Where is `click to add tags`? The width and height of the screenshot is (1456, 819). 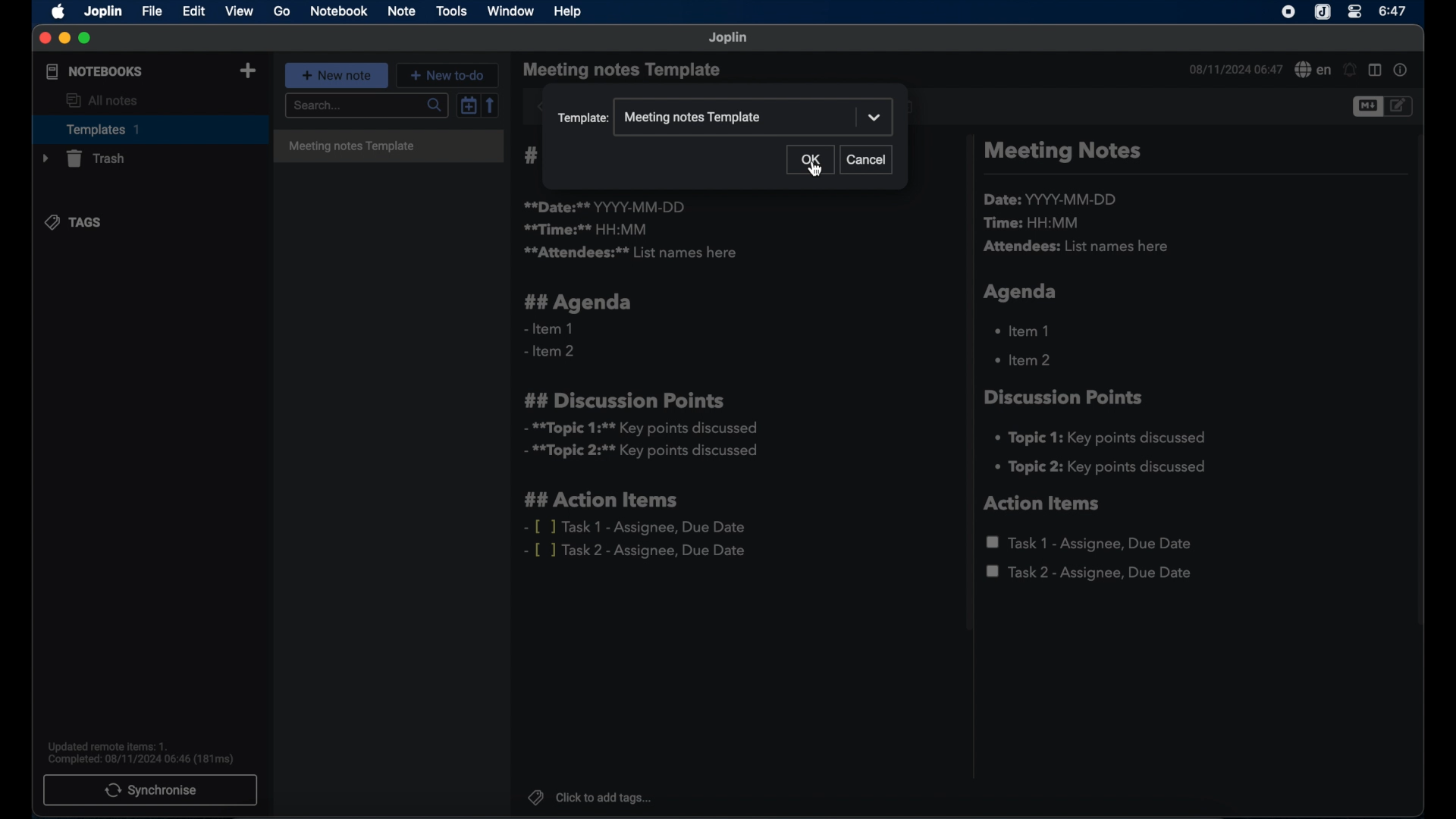
click to add tags is located at coordinates (591, 798).